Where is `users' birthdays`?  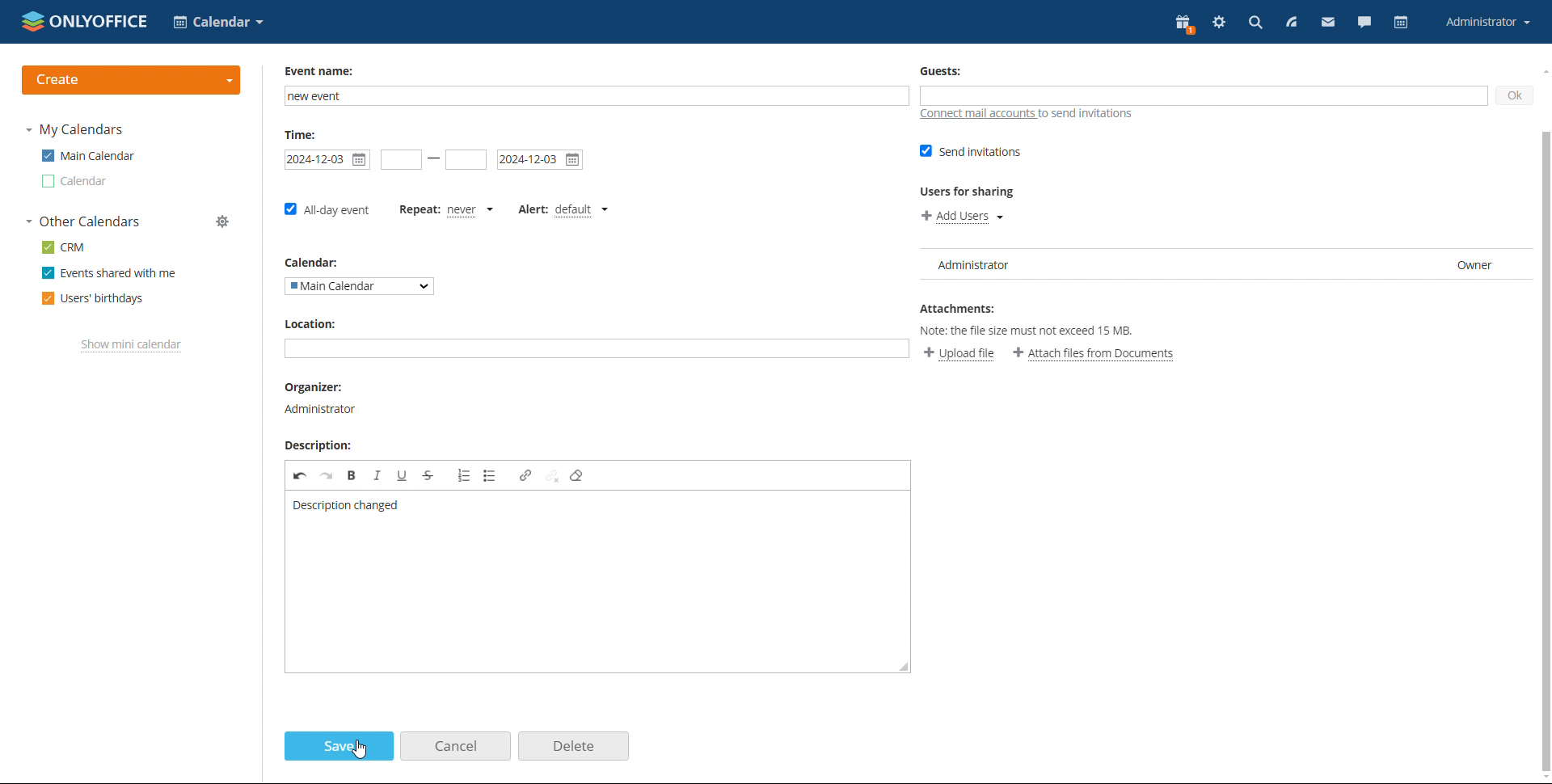 users' birthdays is located at coordinates (94, 298).